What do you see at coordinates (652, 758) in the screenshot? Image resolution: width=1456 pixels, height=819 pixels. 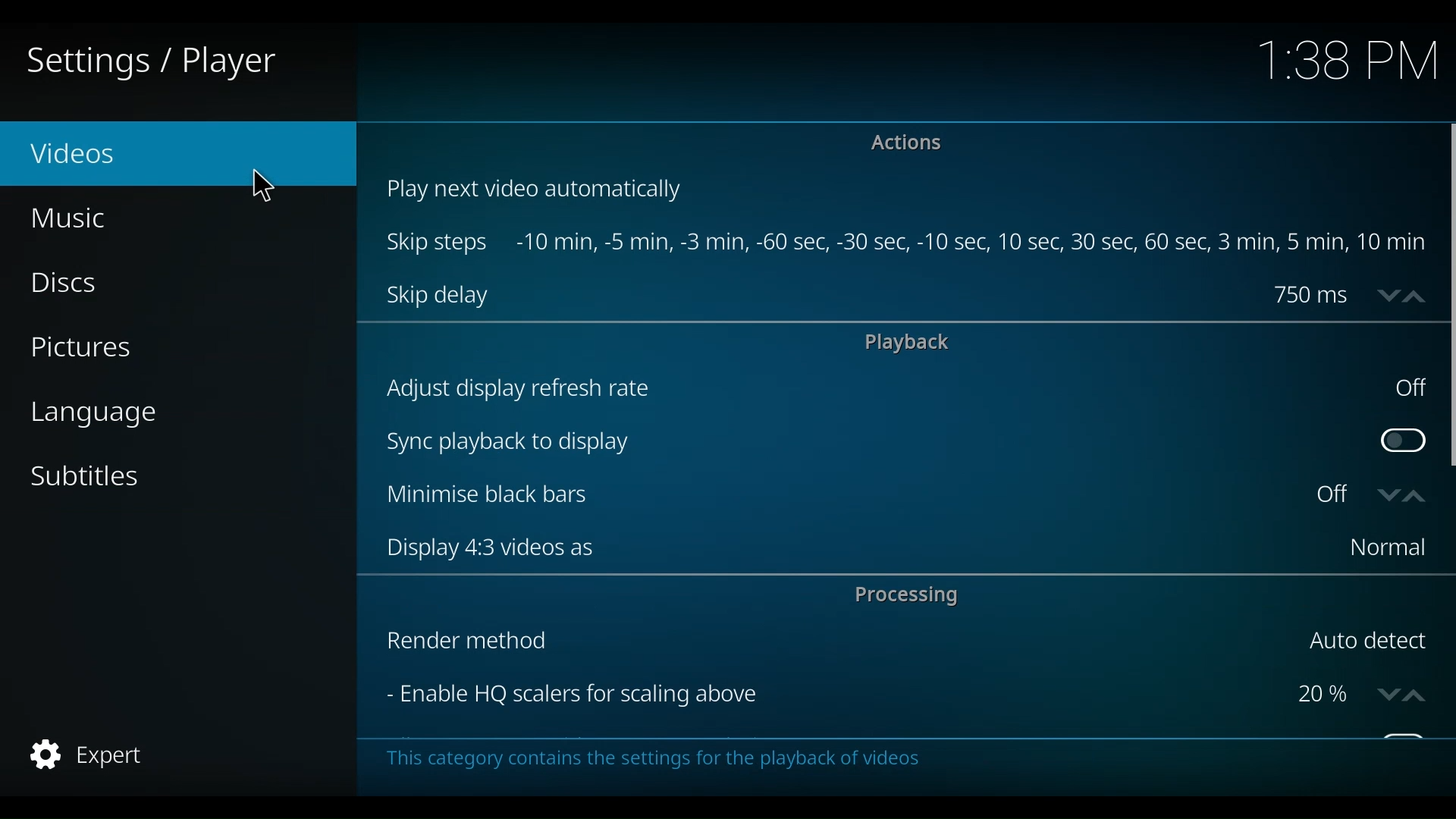 I see `This category contains` at bounding box center [652, 758].